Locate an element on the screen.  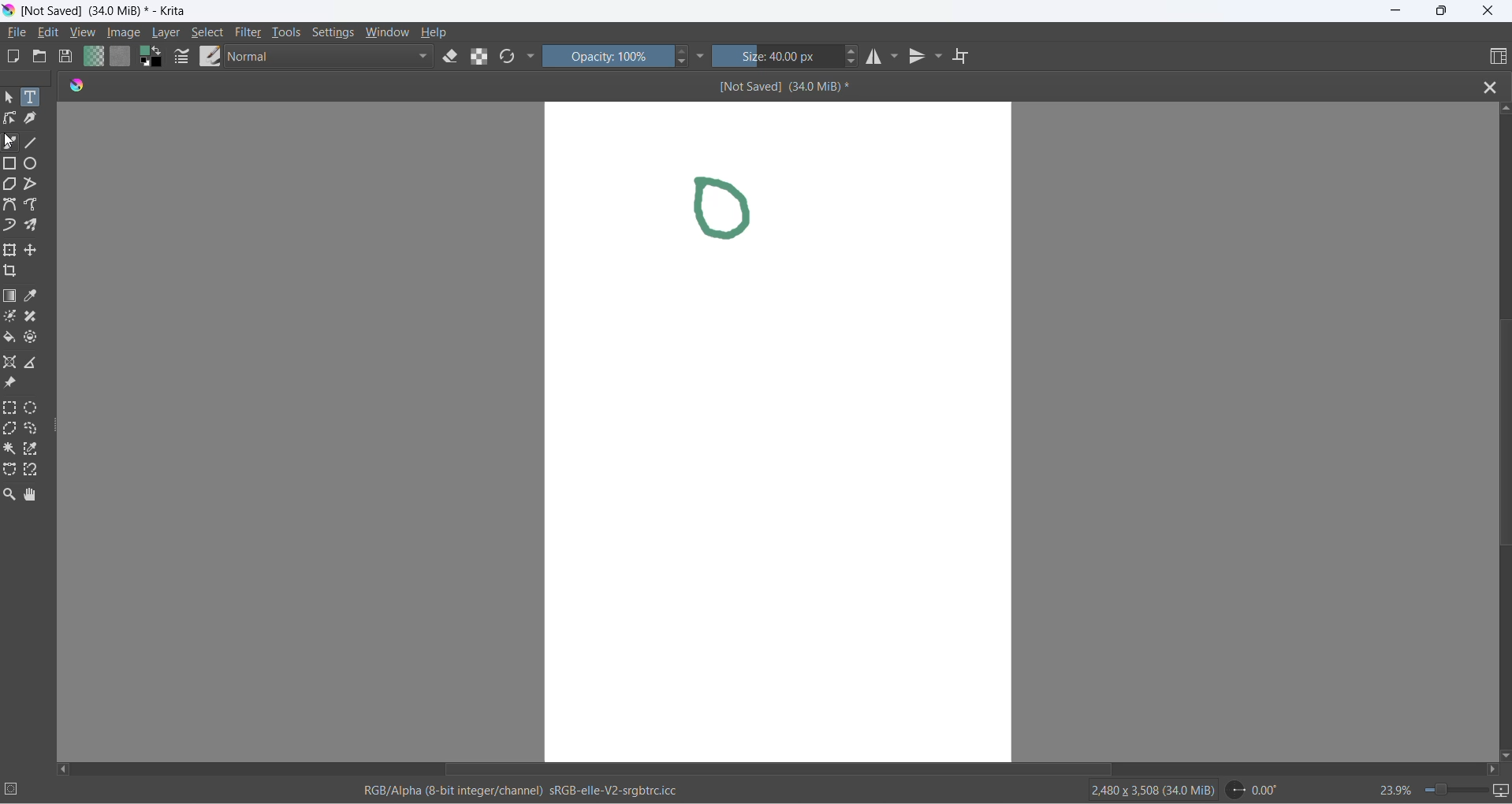
decrease opacity button is located at coordinates (685, 63).